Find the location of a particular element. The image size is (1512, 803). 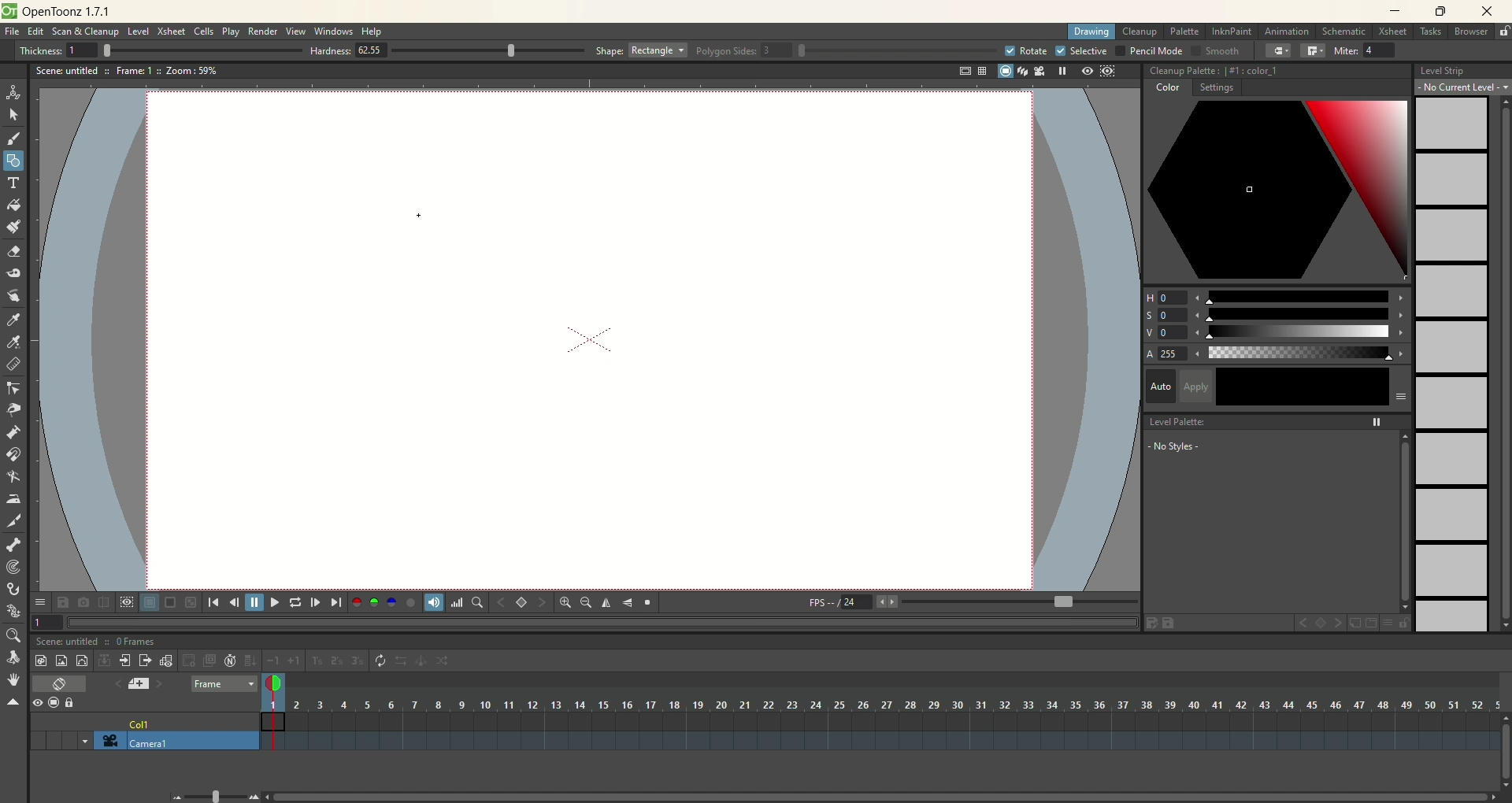

set key is located at coordinates (521, 601).